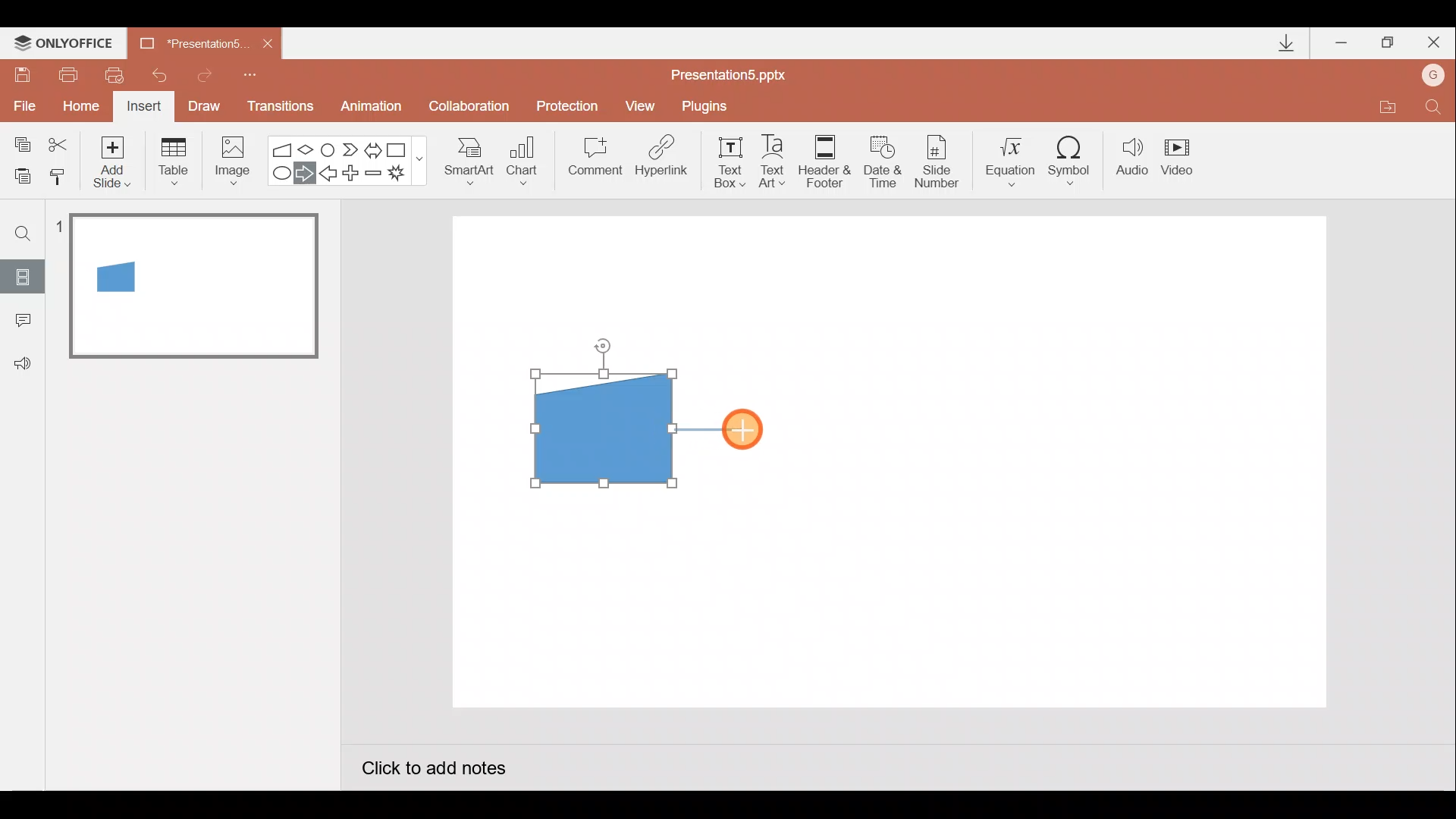 This screenshot has height=819, width=1456. I want to click on Audio, so click(1133, 160).